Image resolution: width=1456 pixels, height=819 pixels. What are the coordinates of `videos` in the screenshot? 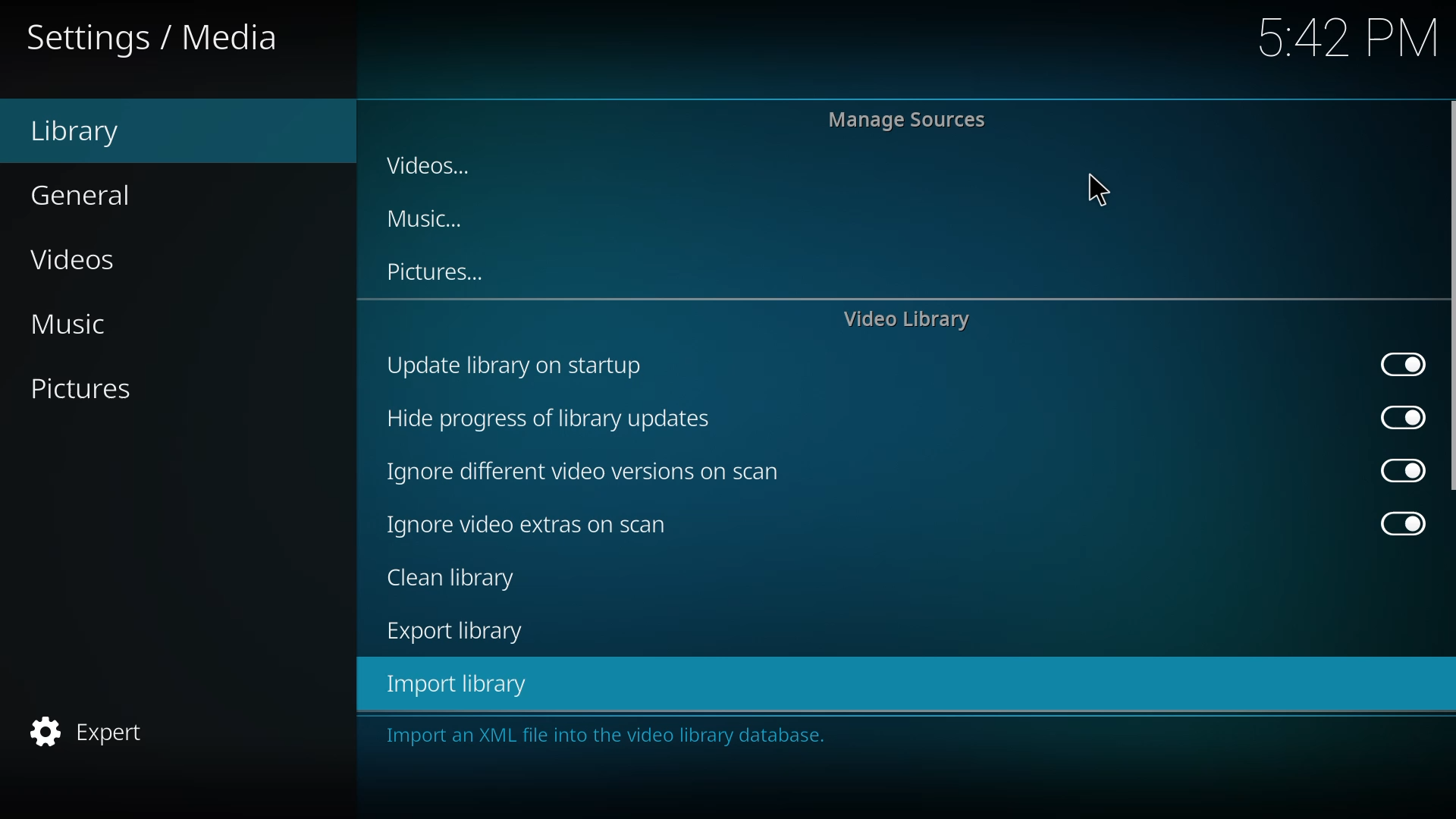 It's located at (86, 259).